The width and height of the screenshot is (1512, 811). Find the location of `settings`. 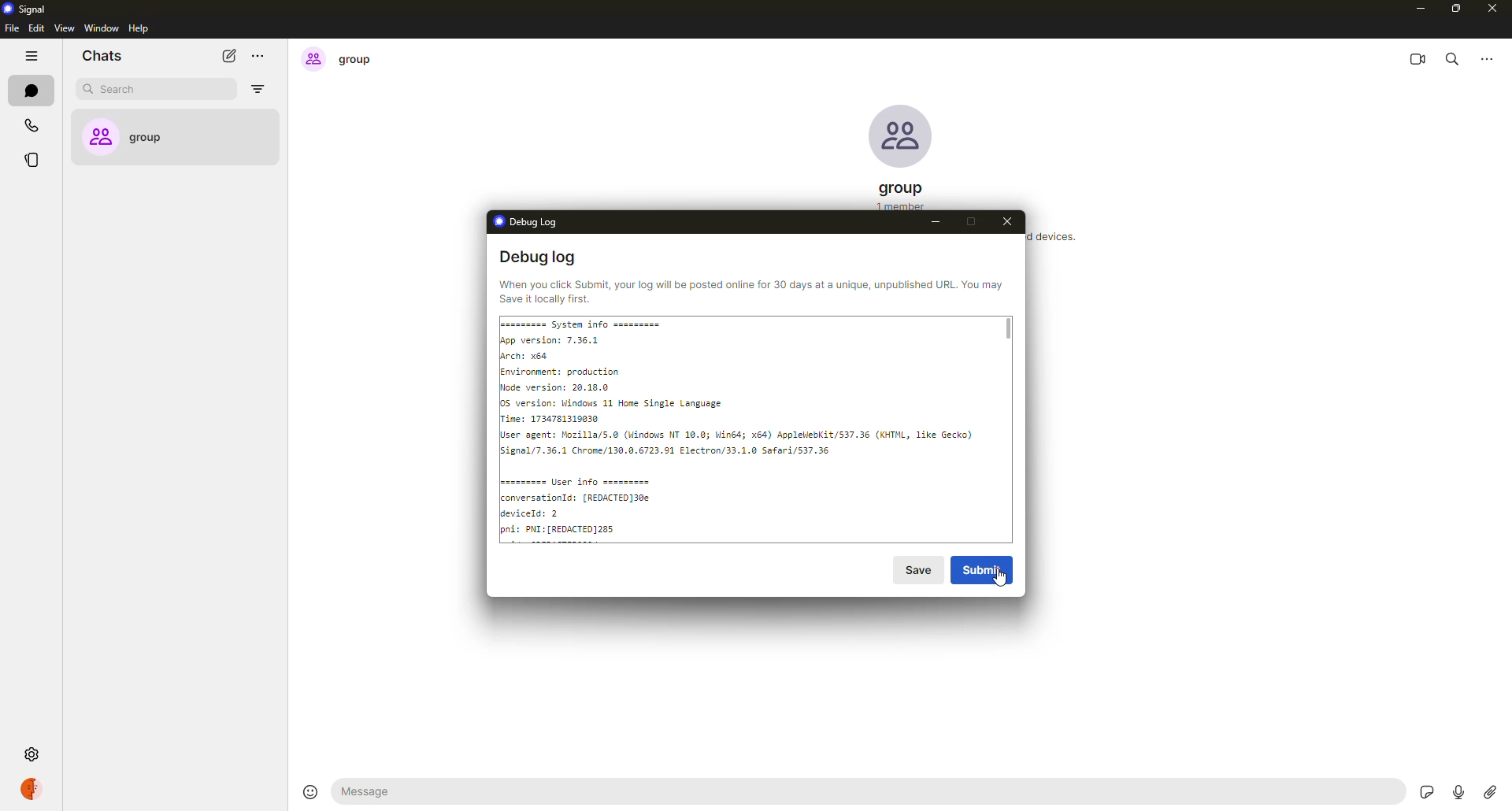

settings is located at coordinates (31, 754).